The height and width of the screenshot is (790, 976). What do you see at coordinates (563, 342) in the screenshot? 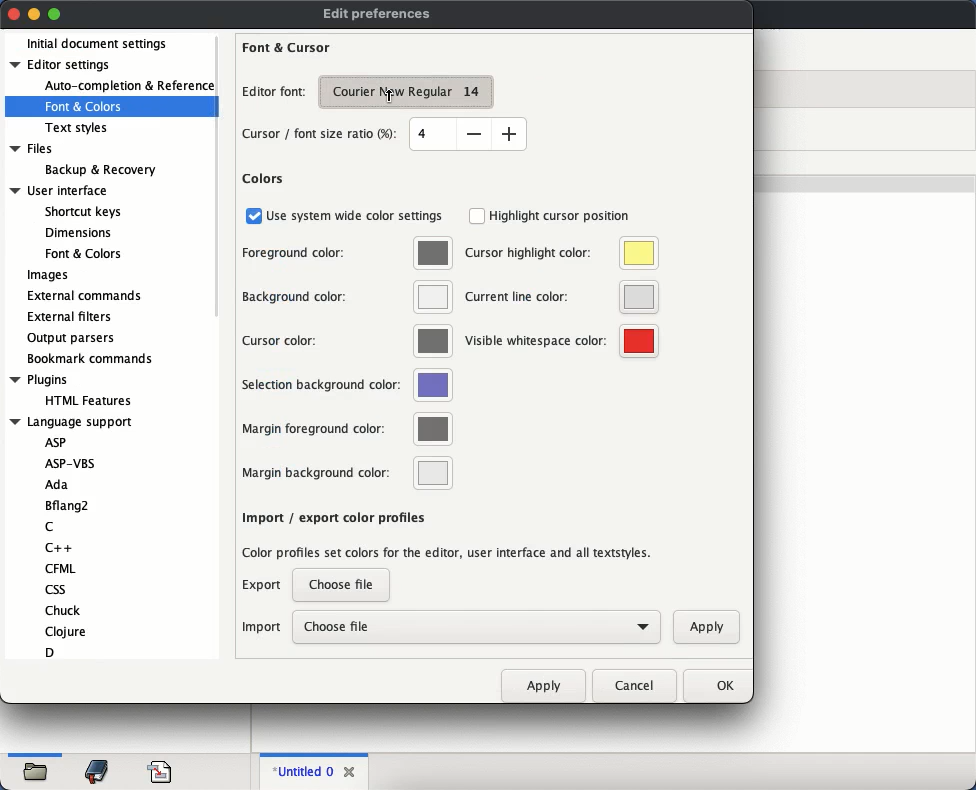
I see `visible whitespace color` at bounding box center [563, 342].